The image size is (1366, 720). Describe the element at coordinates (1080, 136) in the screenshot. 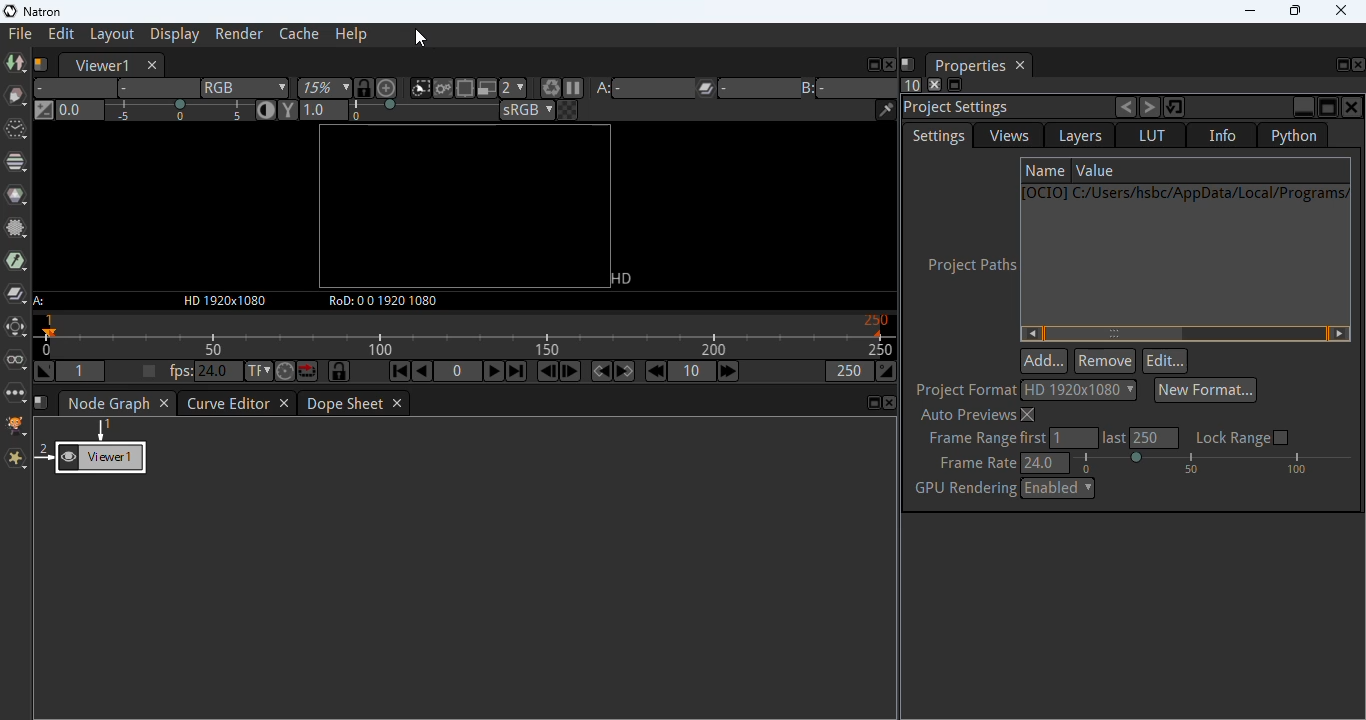

I see `layers` at that location.